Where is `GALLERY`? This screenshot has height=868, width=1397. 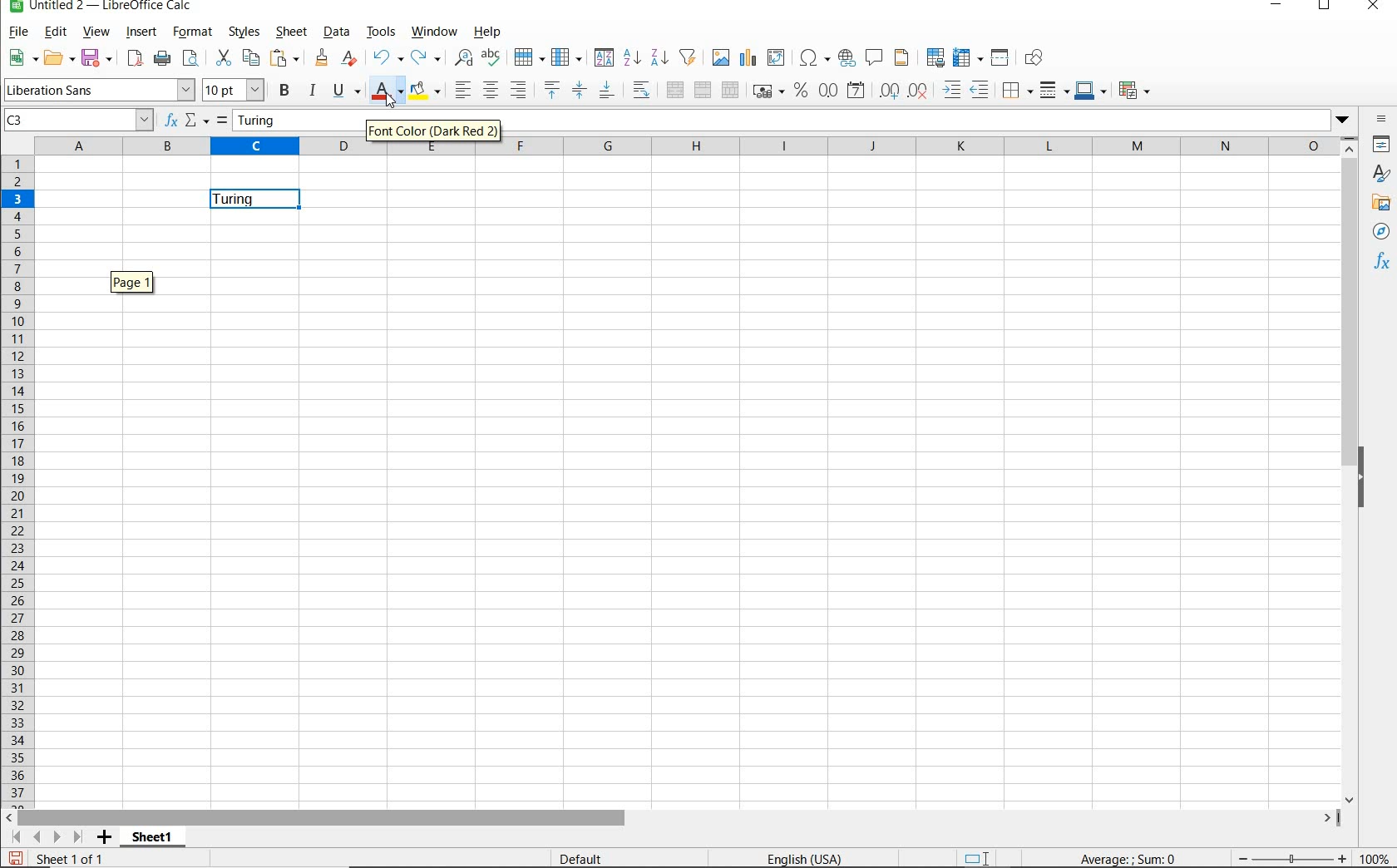
GALLERY is located at coordinates (1383, 204).